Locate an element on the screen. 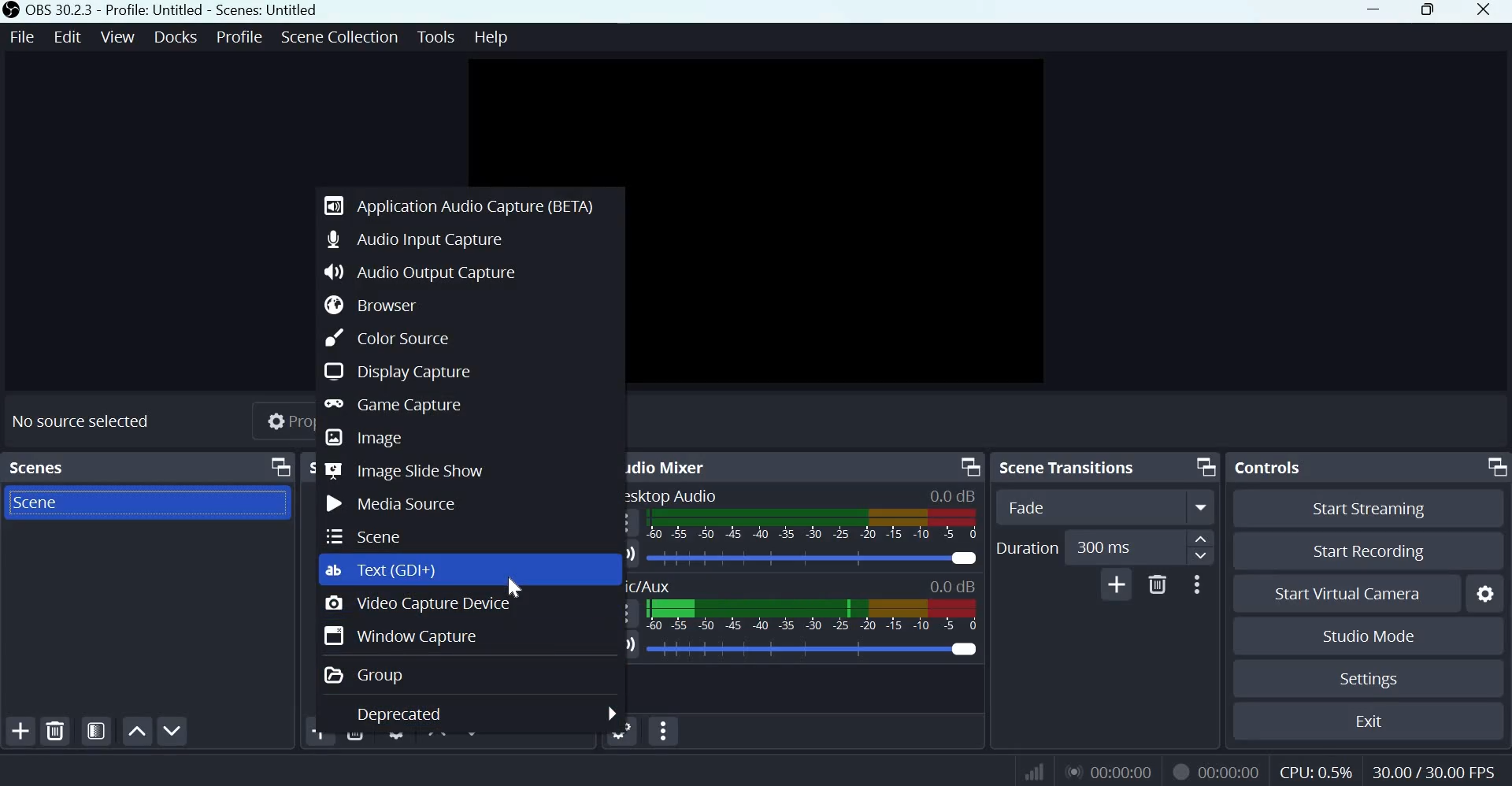 This screenshot has height=786, width=1512. Game capture is located at coordinates (398, 406).